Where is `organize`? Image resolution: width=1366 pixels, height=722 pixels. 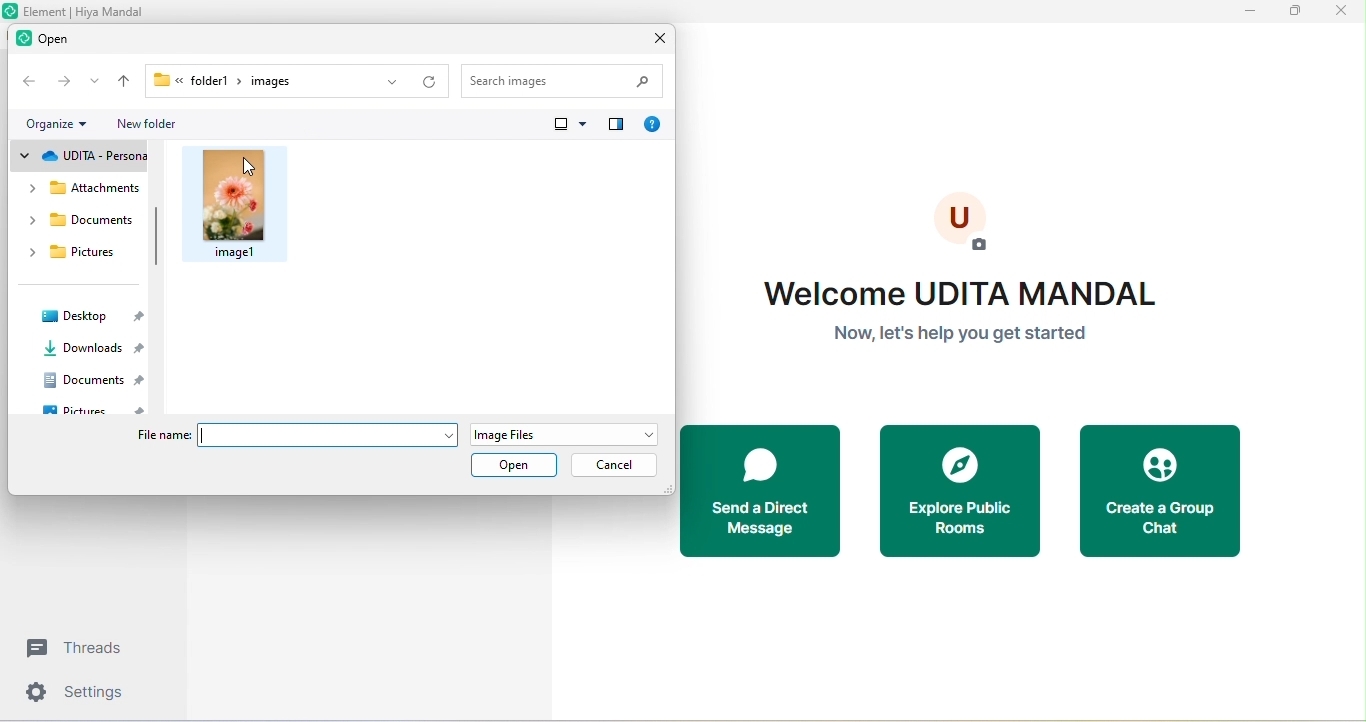
organize is located at coordinates (54, 122).